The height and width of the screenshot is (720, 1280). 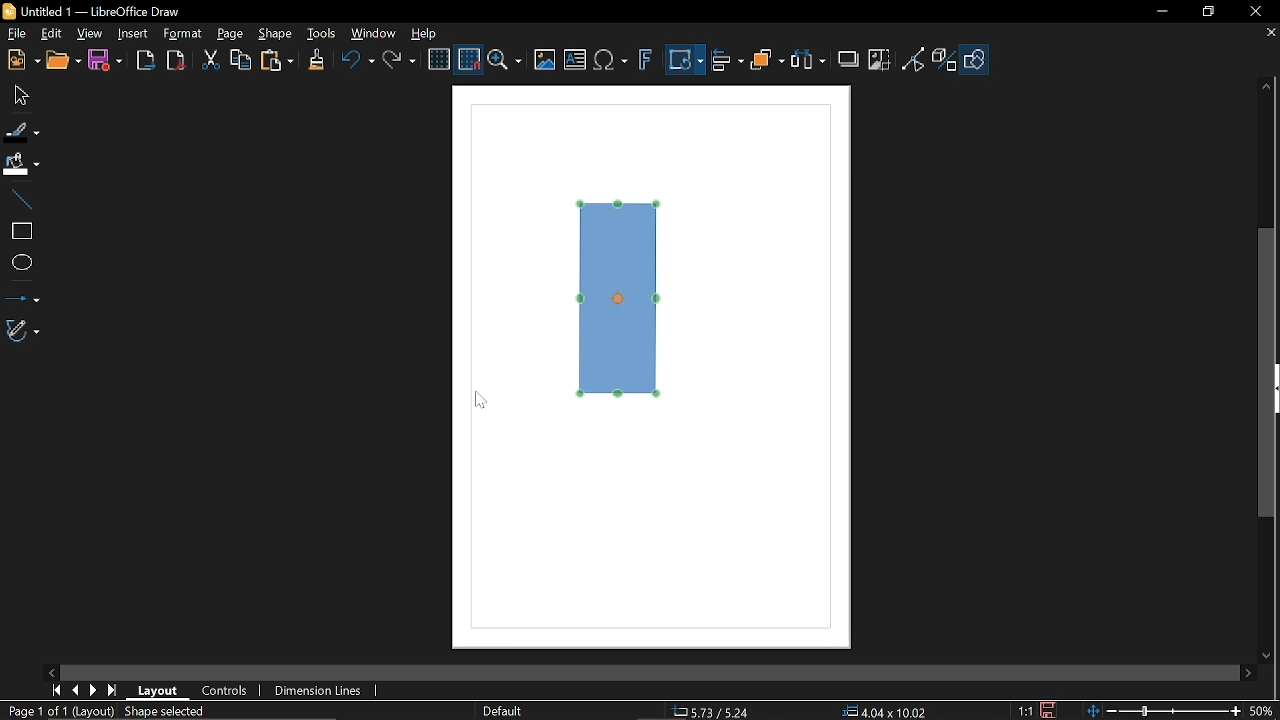 I want to click on Shadow, so click(x=850, y=57).